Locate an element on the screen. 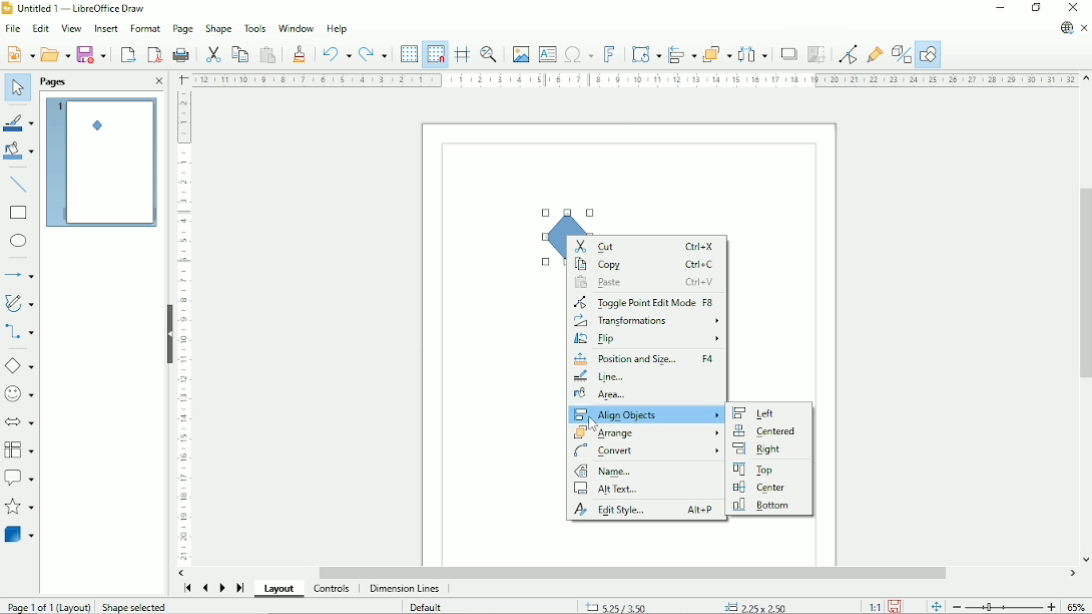 This screenshot has width=1092, height=614. Arrange is located at coordinates (645, 432).